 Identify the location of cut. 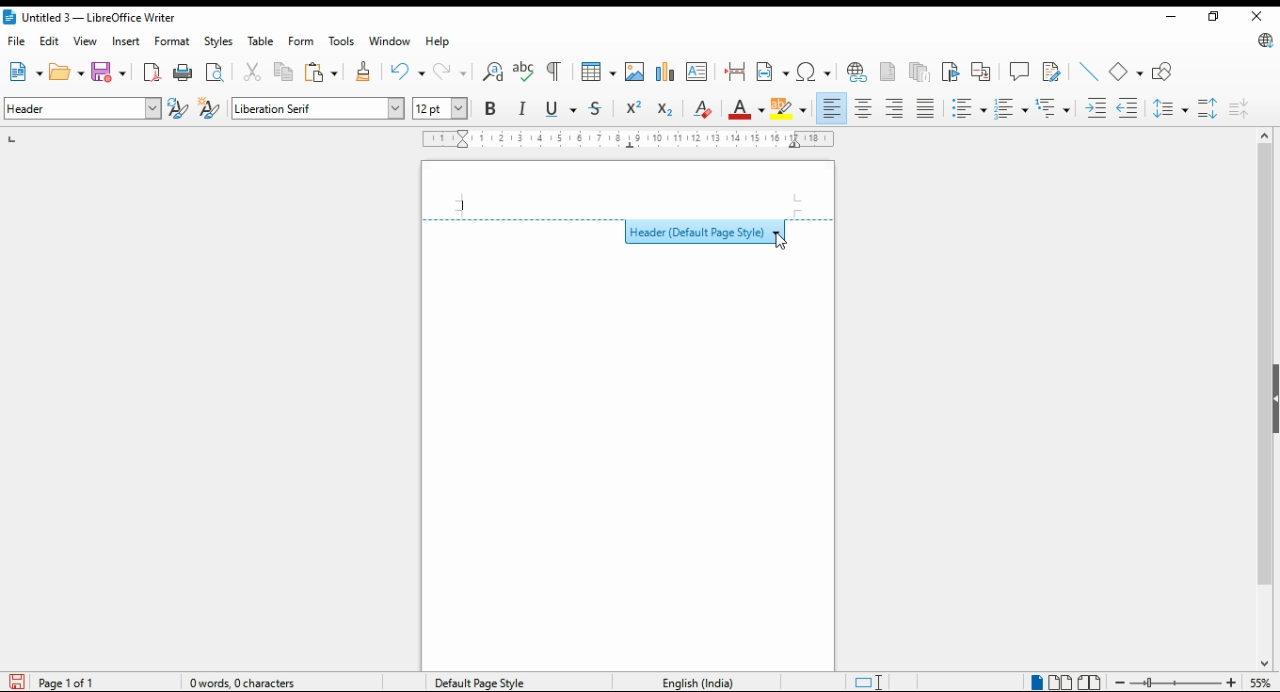
(254, 72).